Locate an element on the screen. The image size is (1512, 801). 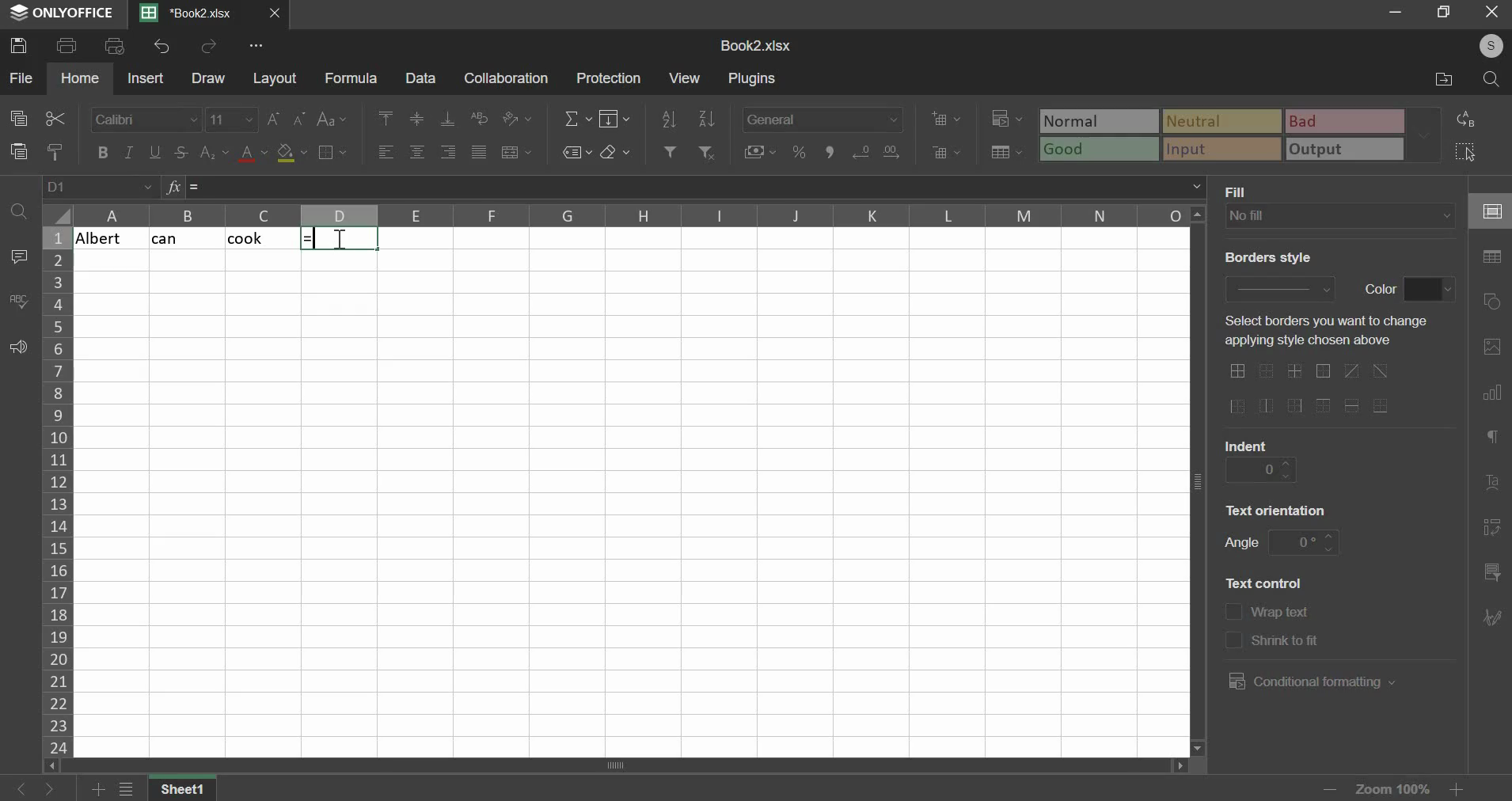
restore is located at coordinates (1442, 13).